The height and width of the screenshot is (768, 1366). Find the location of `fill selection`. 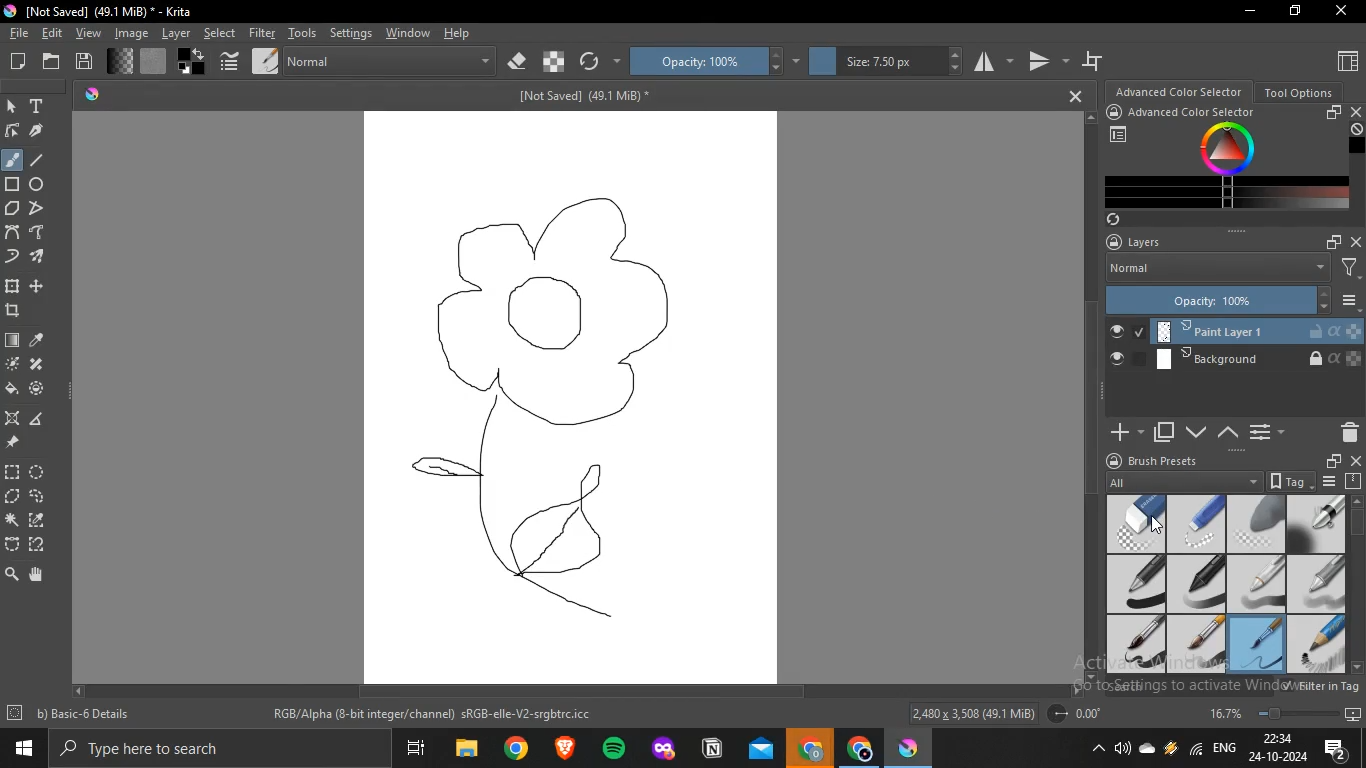

fill selection is located at coordinates (12, 388).